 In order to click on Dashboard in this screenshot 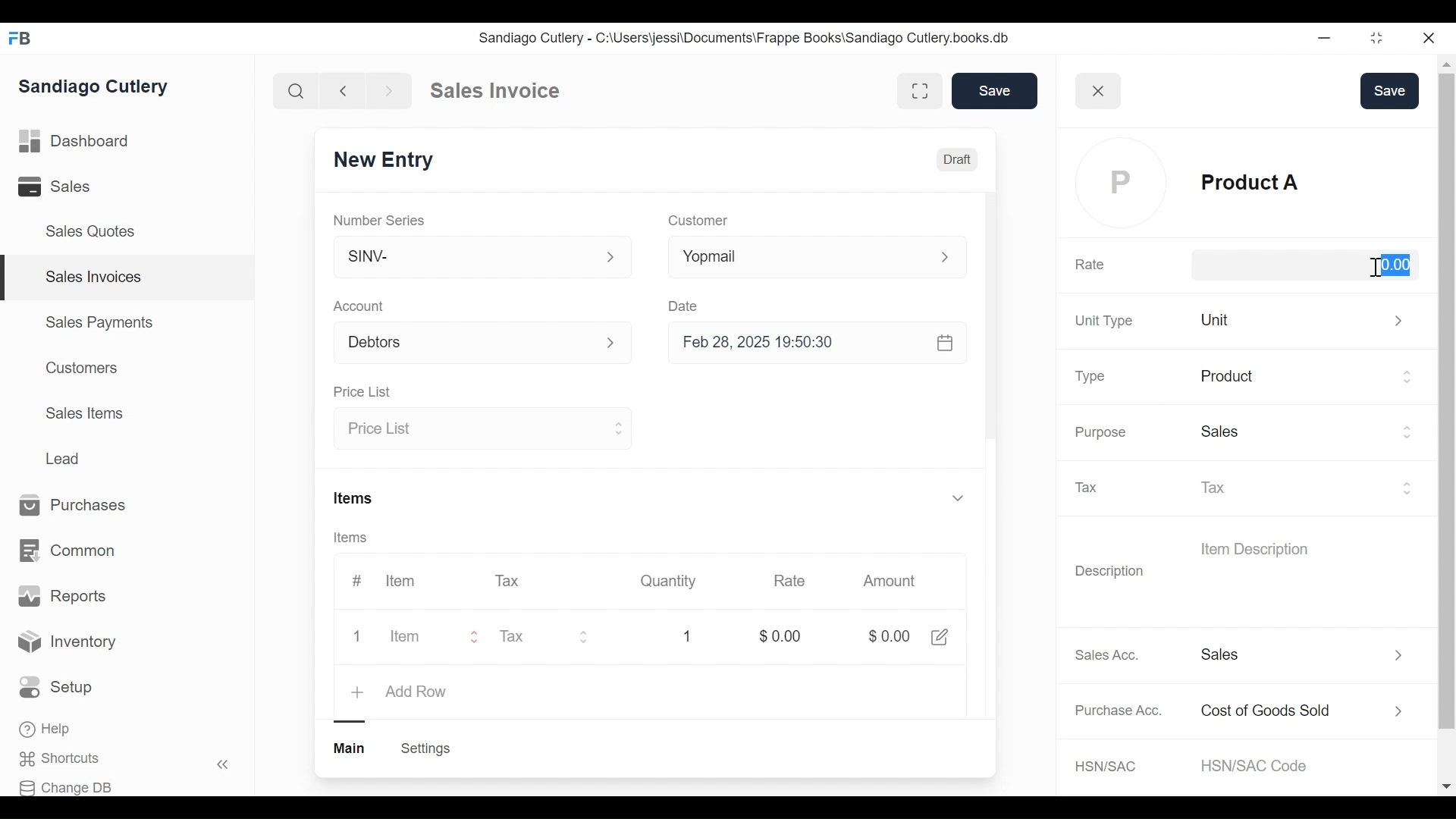, I will do `click(75, 140)`.